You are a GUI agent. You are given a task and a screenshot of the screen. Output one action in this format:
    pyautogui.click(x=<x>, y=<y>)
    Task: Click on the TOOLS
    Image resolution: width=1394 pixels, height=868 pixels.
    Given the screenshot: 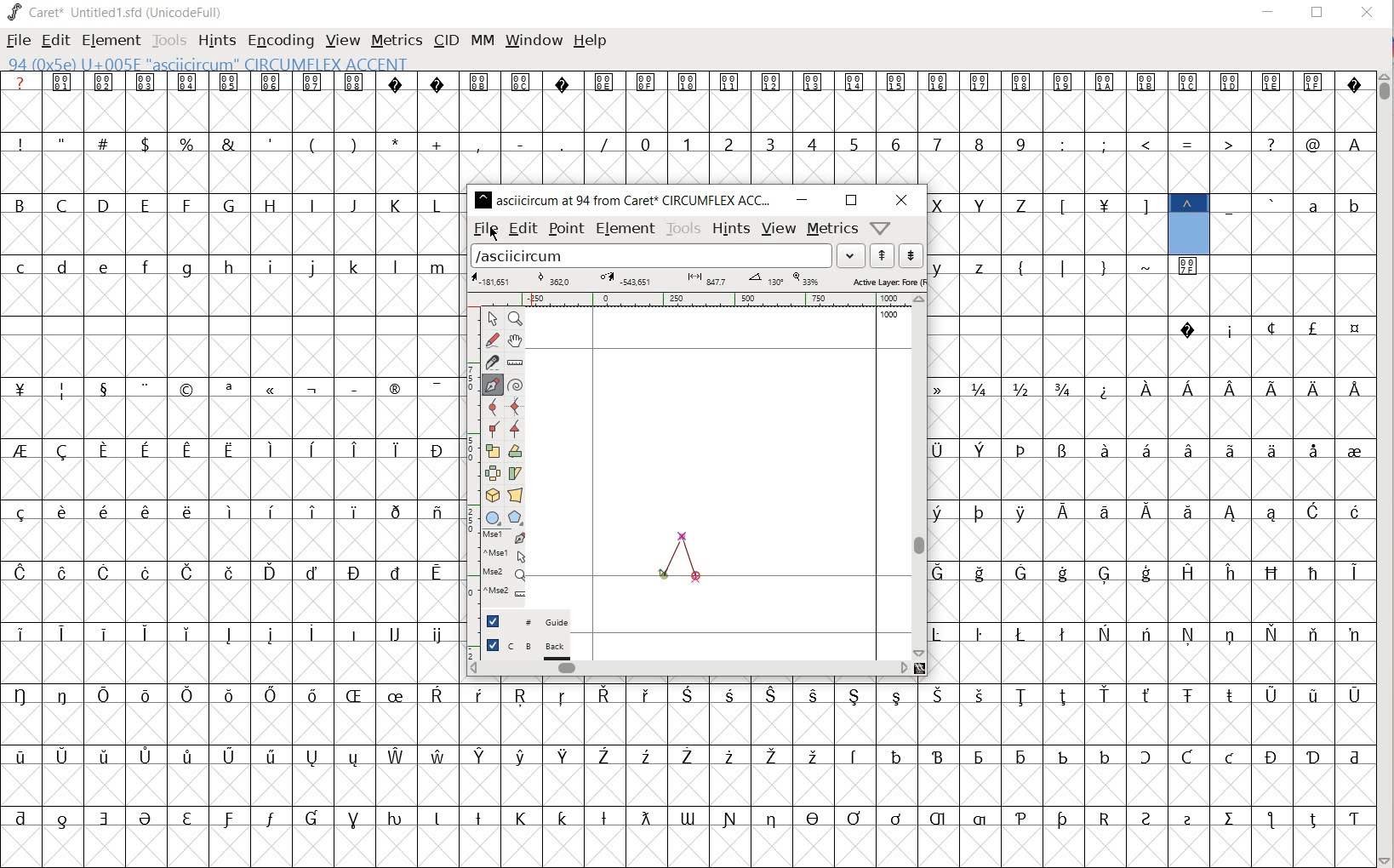 What is the action you would take?
    pyautogui.click(x=169, y=40)
    